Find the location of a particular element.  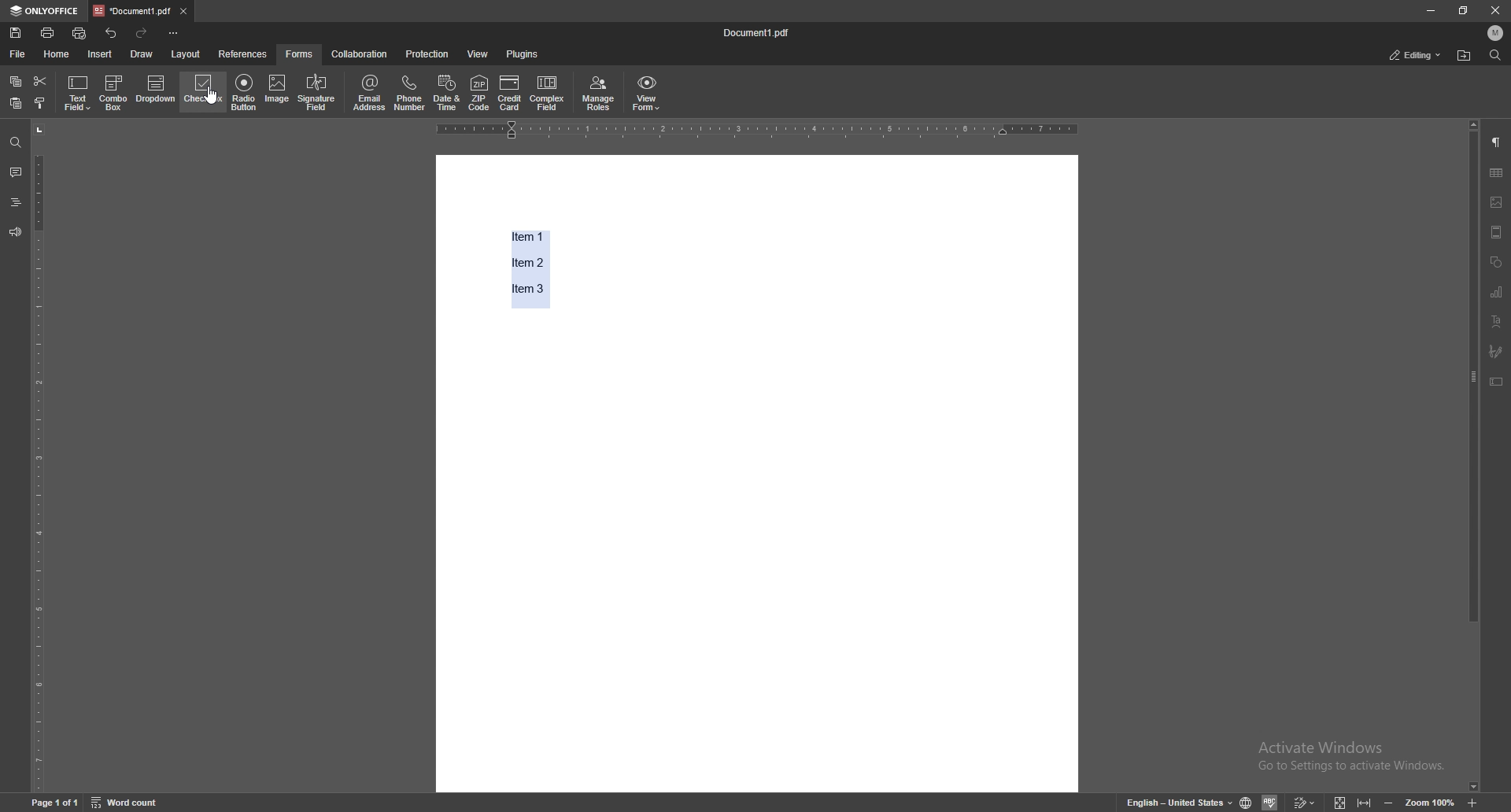

complex field is located at coordinates (548, 94).